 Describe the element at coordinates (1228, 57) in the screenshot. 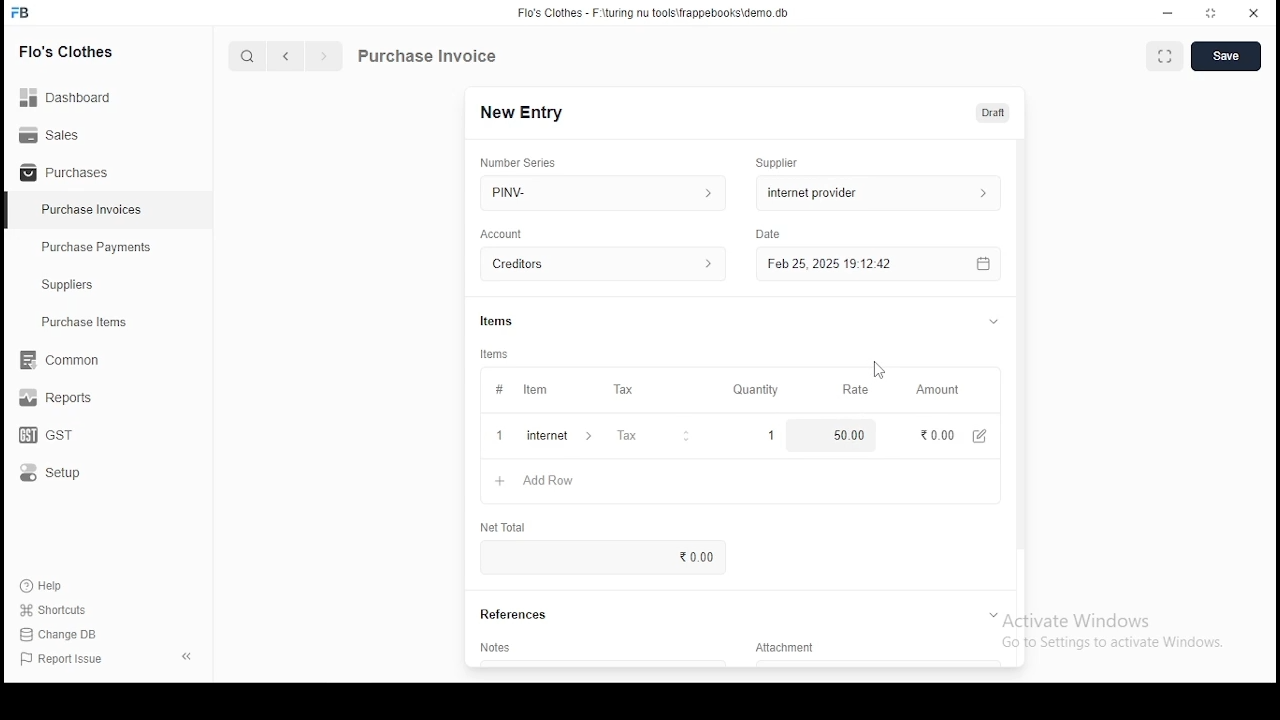

I see `create` at that location.